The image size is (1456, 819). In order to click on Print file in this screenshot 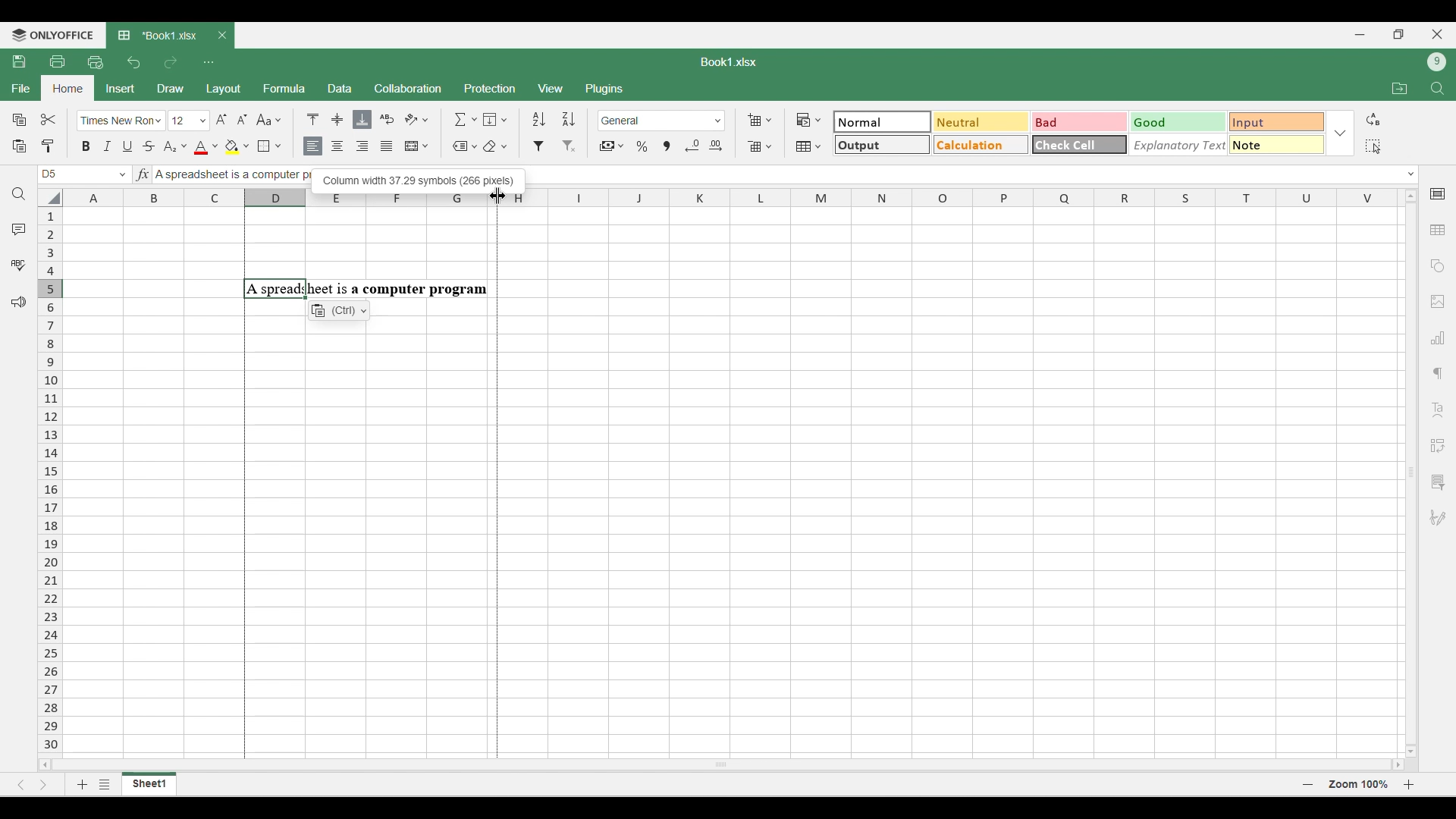, I will do `click(57, 61)`.